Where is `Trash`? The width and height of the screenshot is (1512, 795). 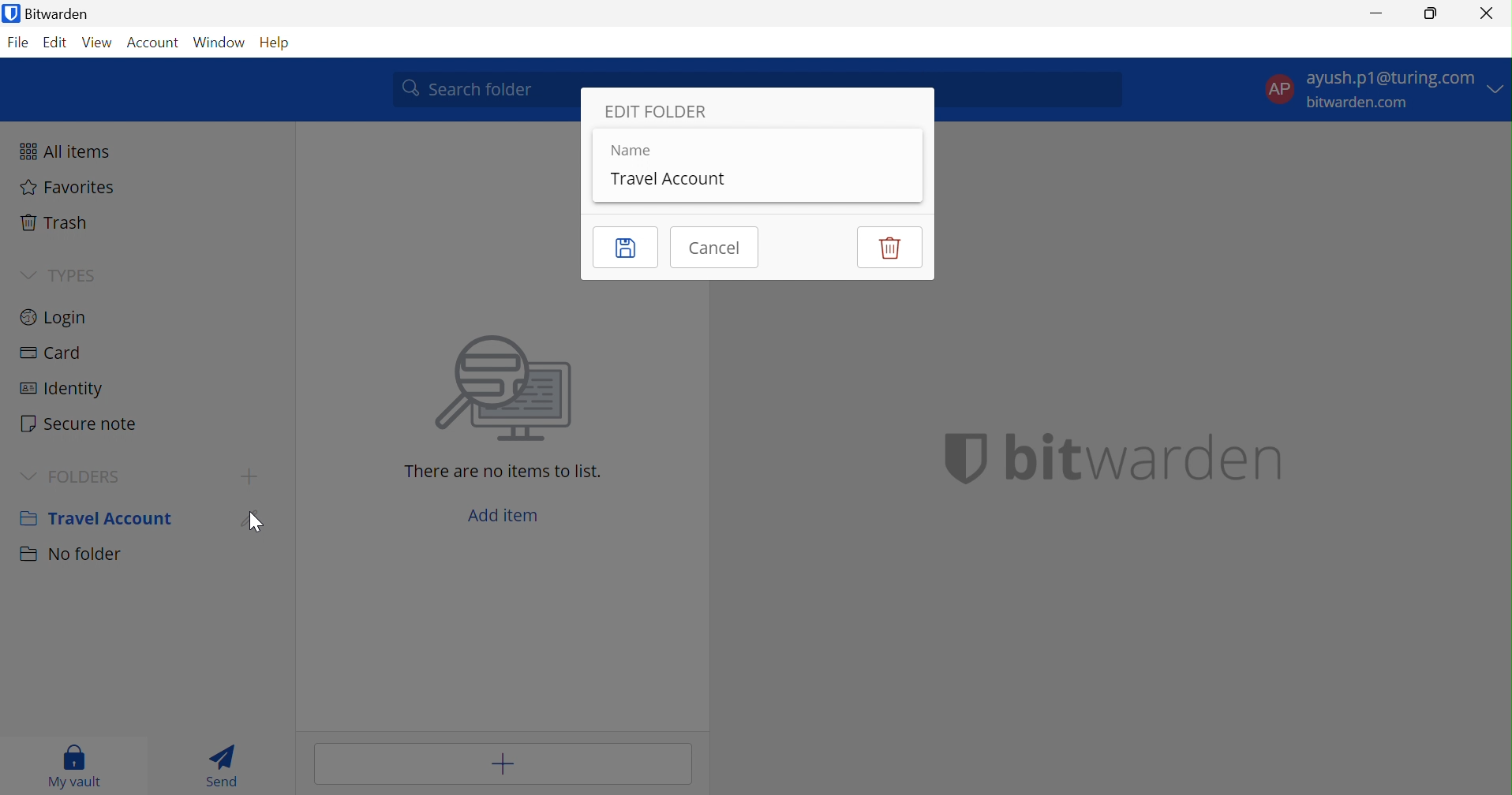
Trash is located at coordinates (56, 222).